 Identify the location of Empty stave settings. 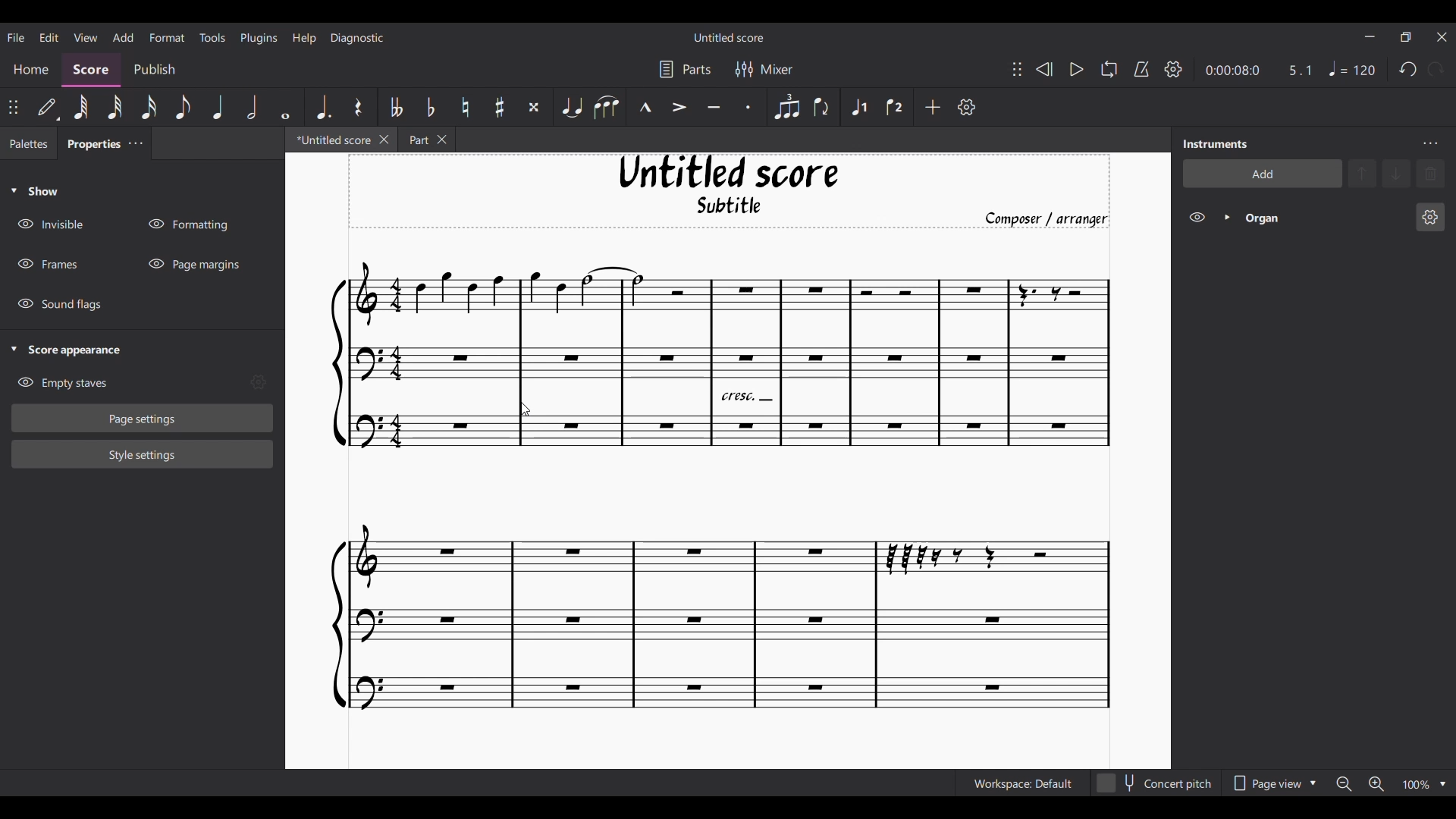
(262, 383).